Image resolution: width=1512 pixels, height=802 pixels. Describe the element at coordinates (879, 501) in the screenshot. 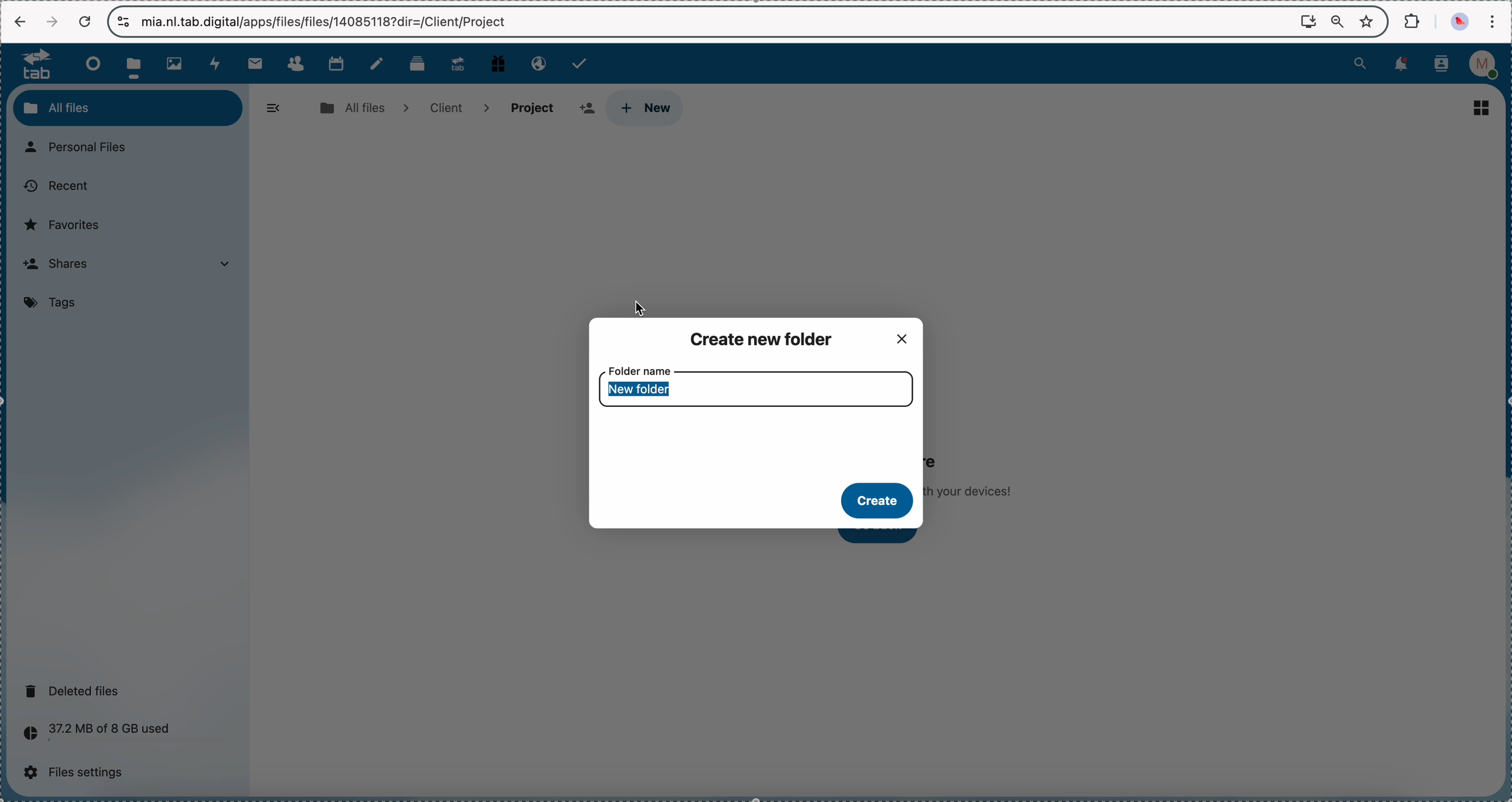

I see `create` at that location.